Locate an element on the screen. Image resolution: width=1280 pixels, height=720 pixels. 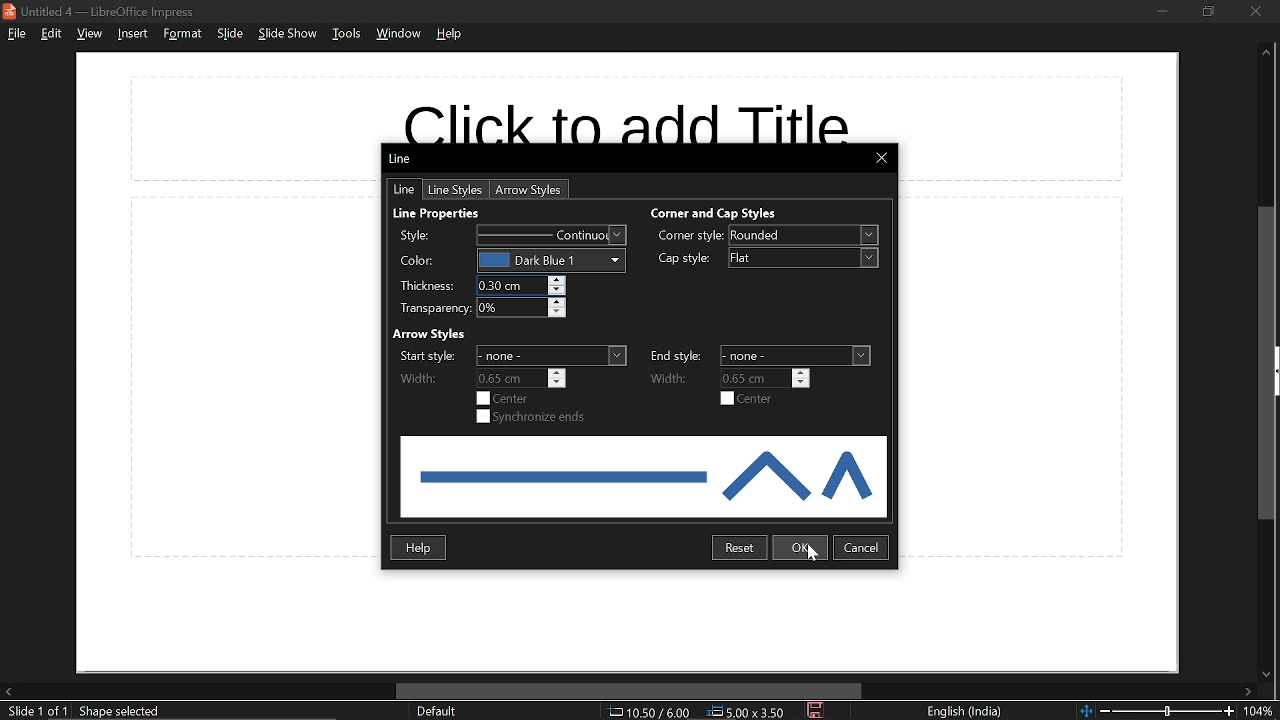
end style is located at coordinates (796, 355).